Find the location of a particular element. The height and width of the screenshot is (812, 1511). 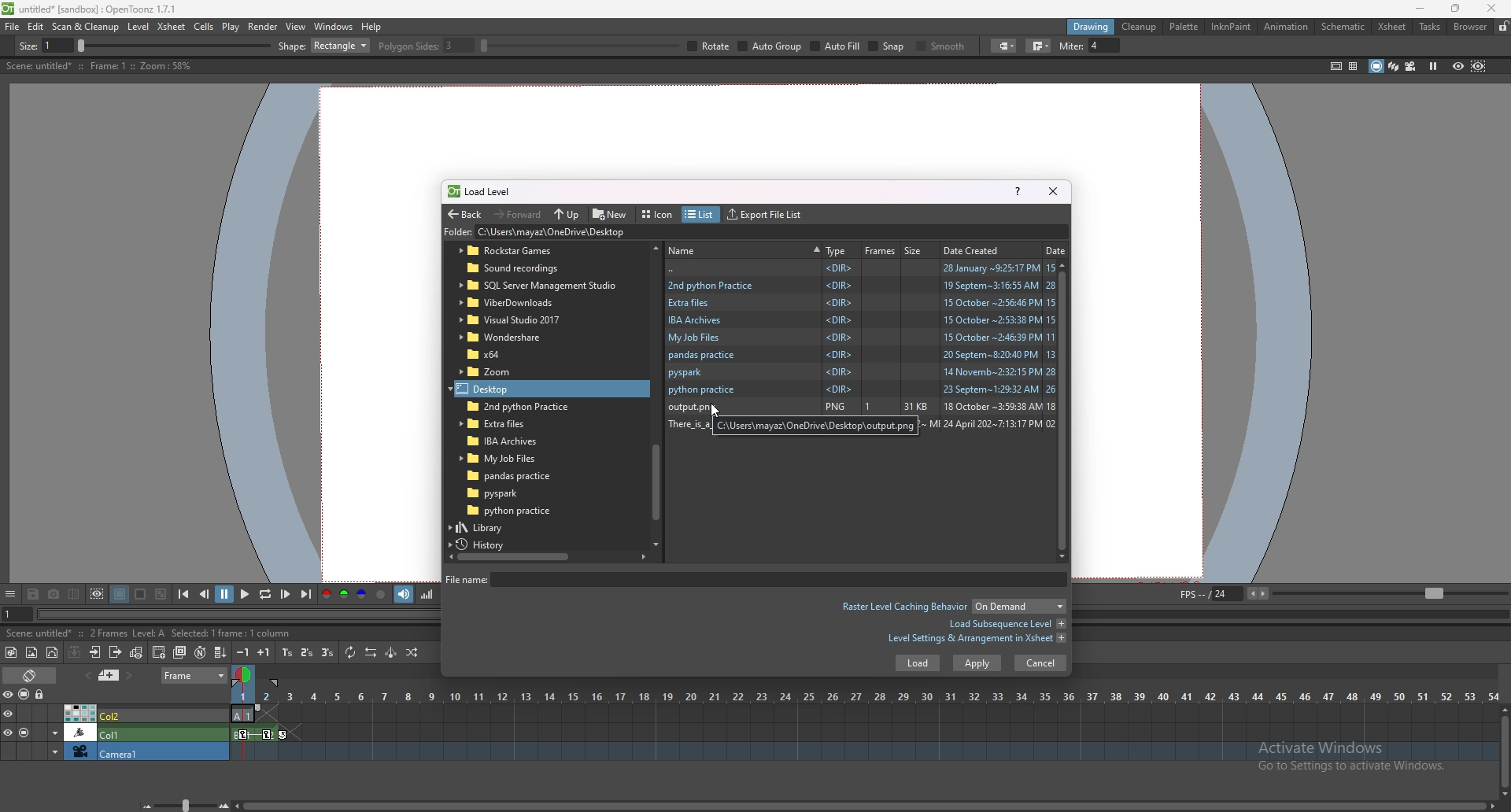

checkered background is located at coordinates (160, 595).